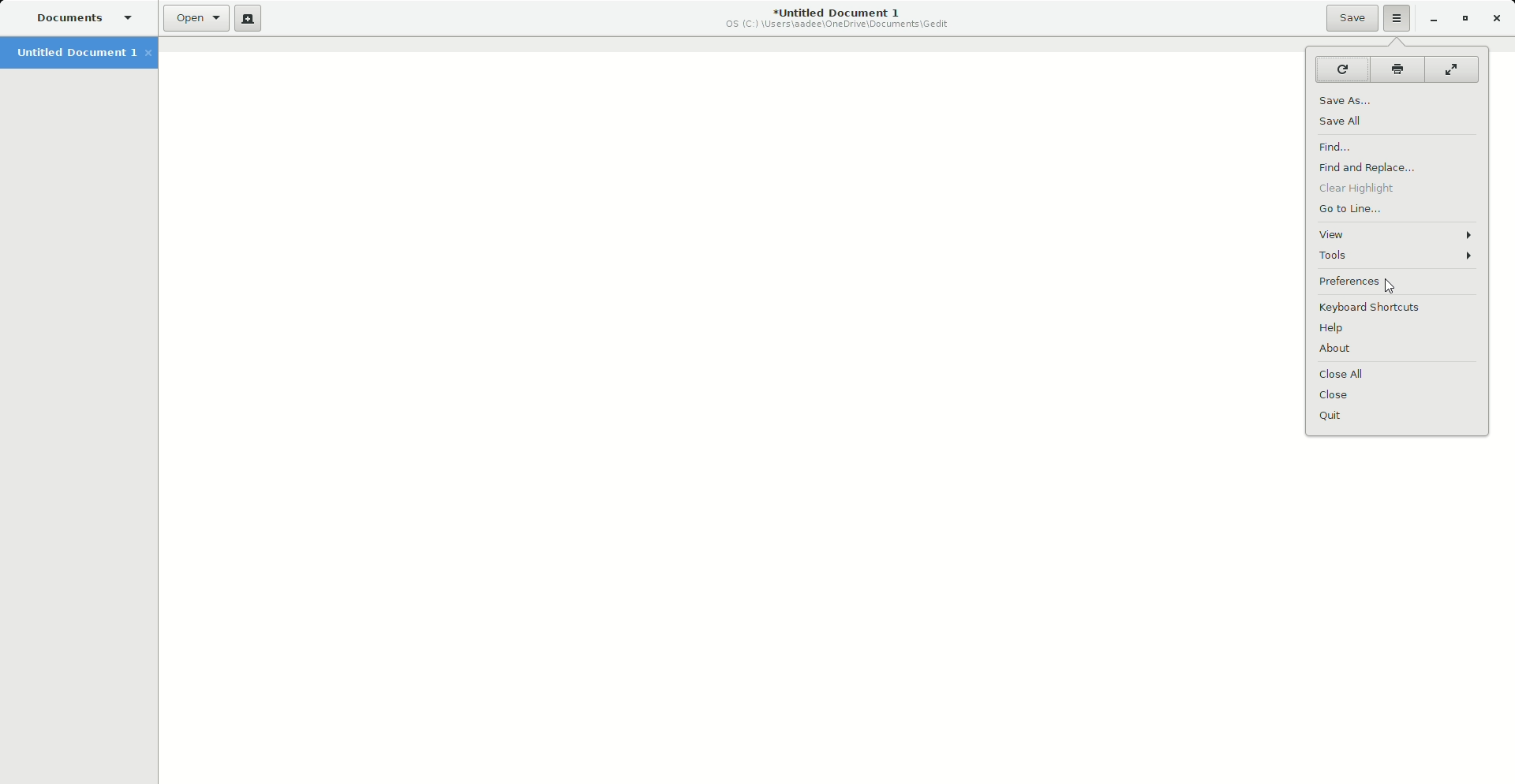 The width and height of the screenshot is (1515, 784). What do you see at coordinates (1341, 416) in the screenshot?
I see `Quit` at bounding box center [1341, 416].